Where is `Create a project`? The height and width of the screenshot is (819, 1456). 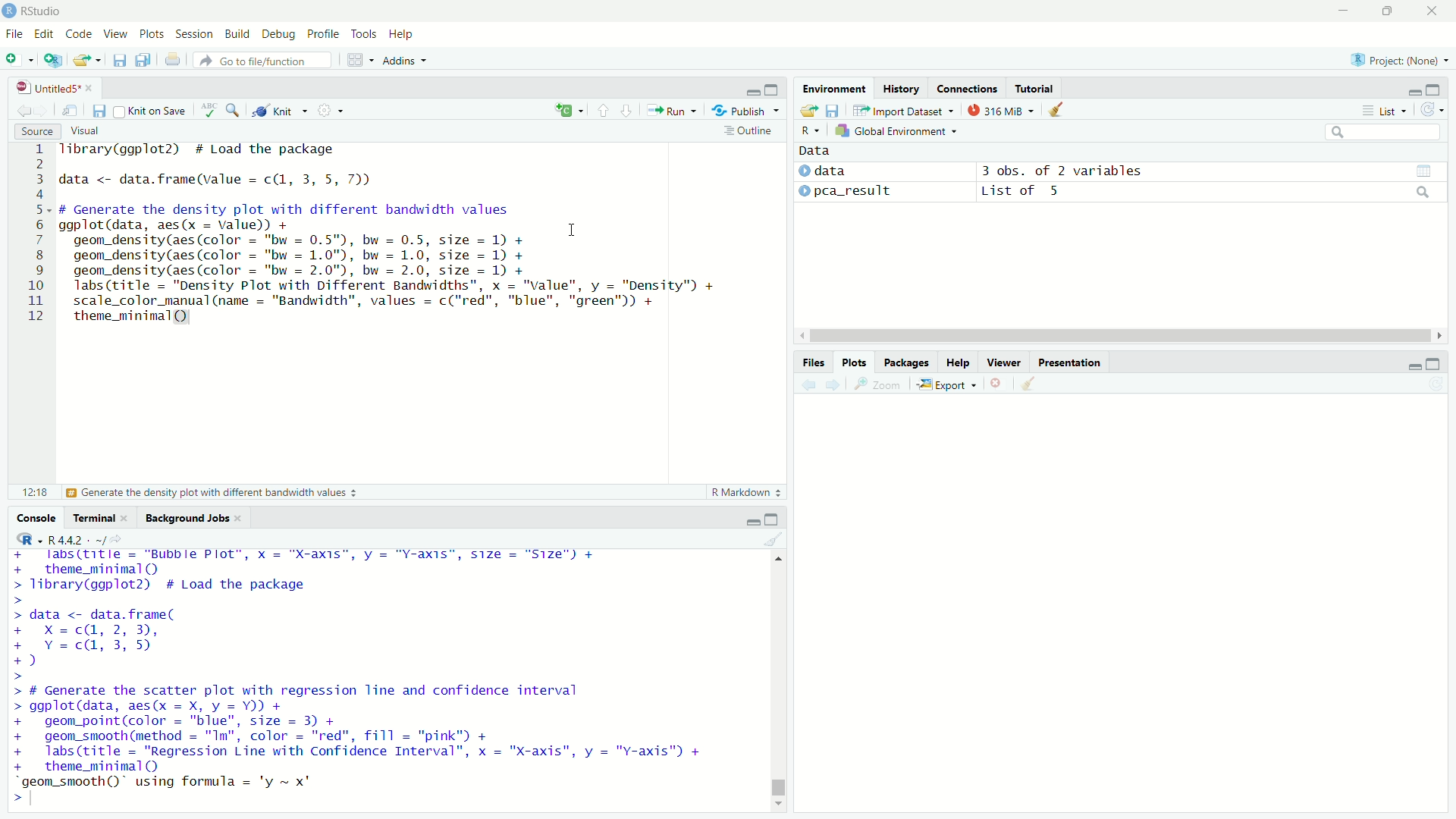
Create a project is located at coordinates (54, 59).